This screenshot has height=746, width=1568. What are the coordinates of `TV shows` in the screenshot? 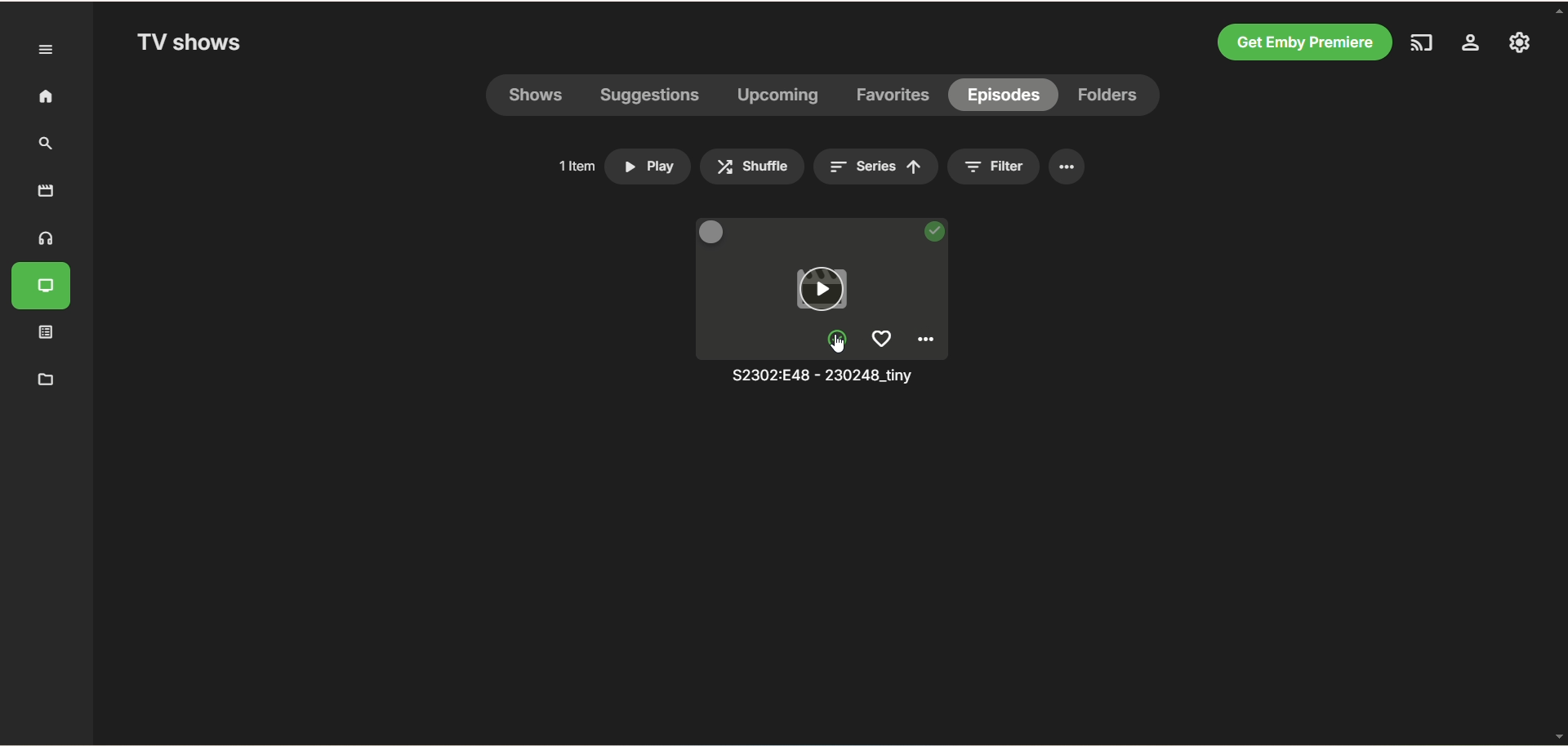 It's located at (47, 287).